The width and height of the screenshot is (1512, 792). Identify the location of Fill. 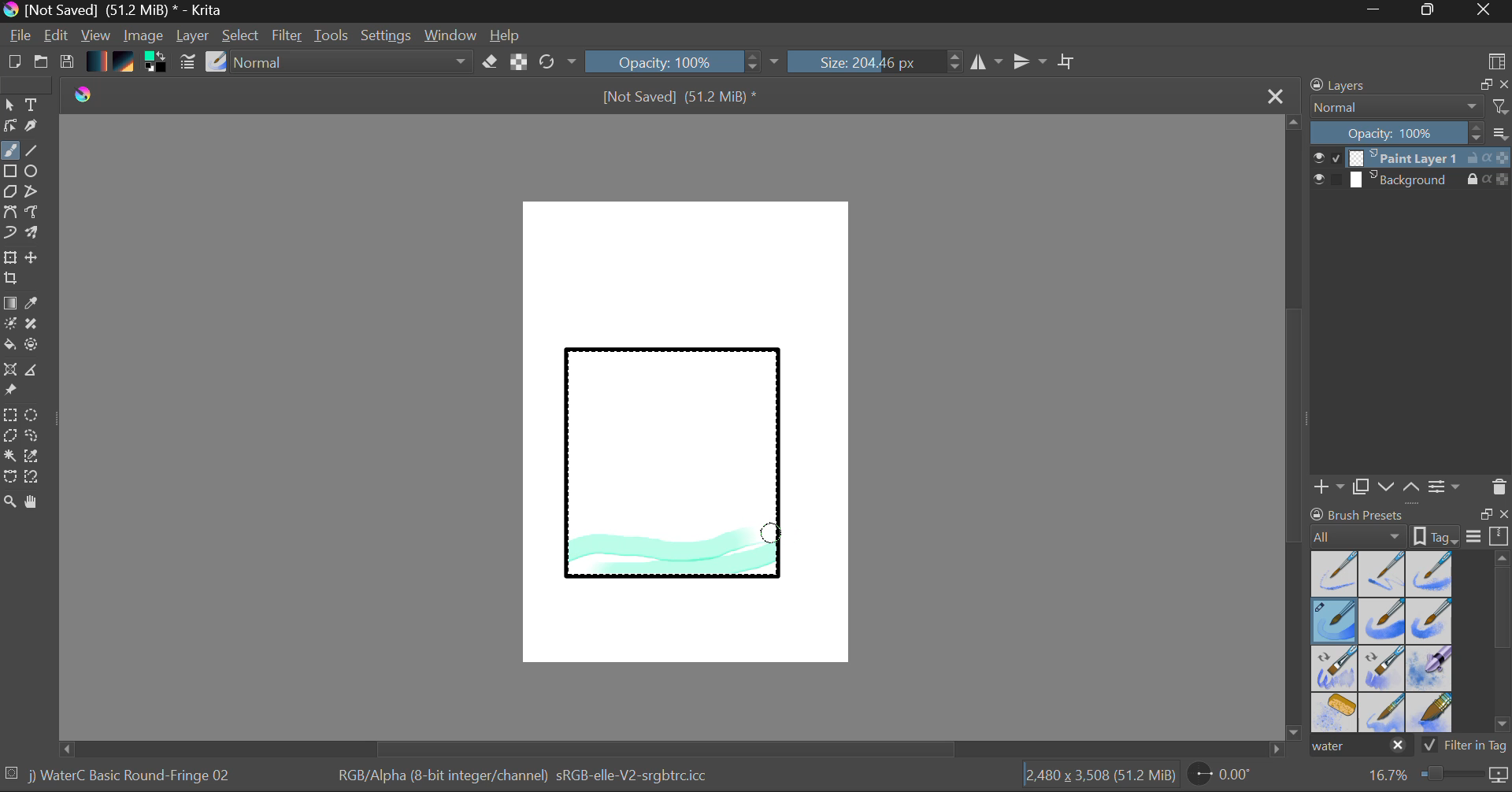
(9, 347).